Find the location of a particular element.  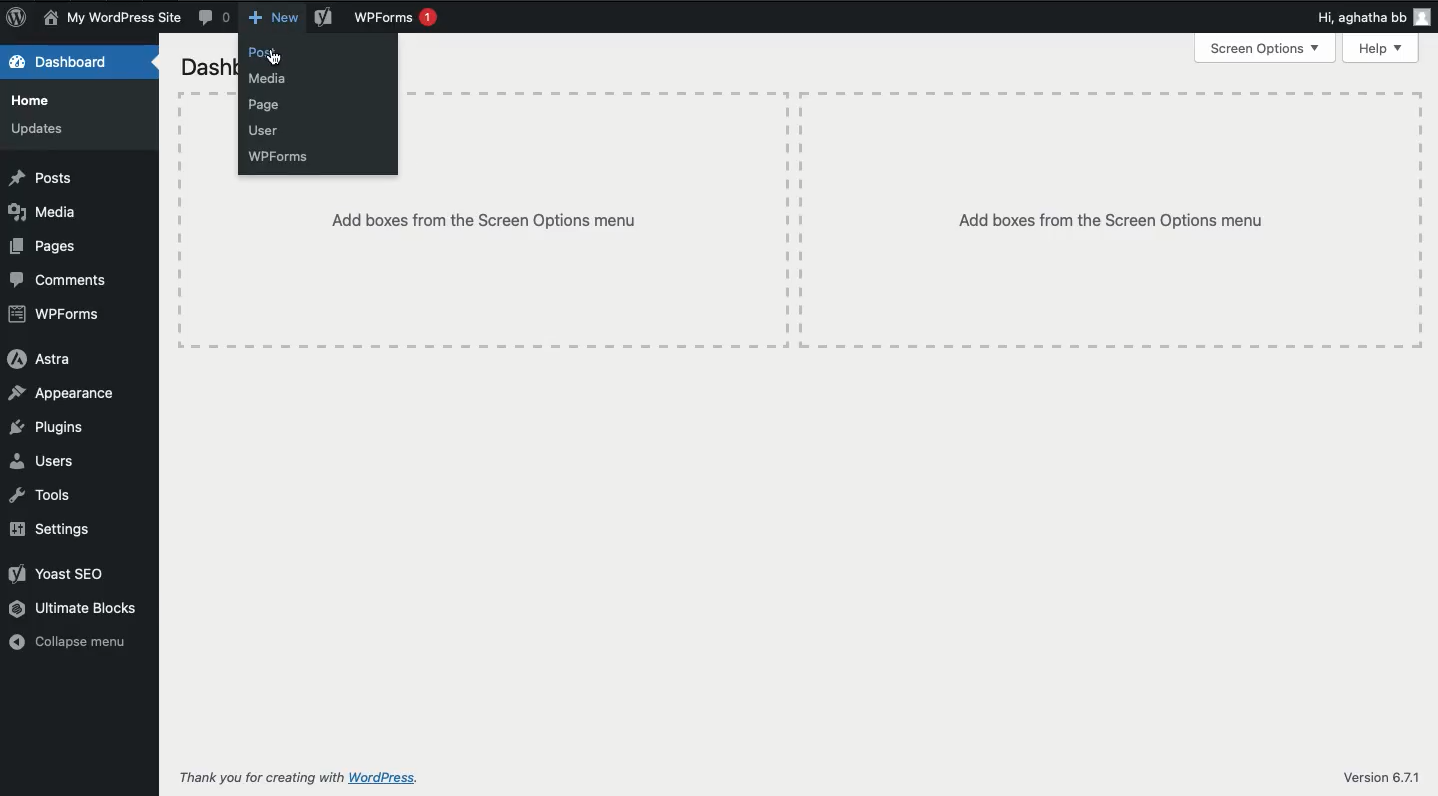

Dashboard is located at coordinates (69, 62).